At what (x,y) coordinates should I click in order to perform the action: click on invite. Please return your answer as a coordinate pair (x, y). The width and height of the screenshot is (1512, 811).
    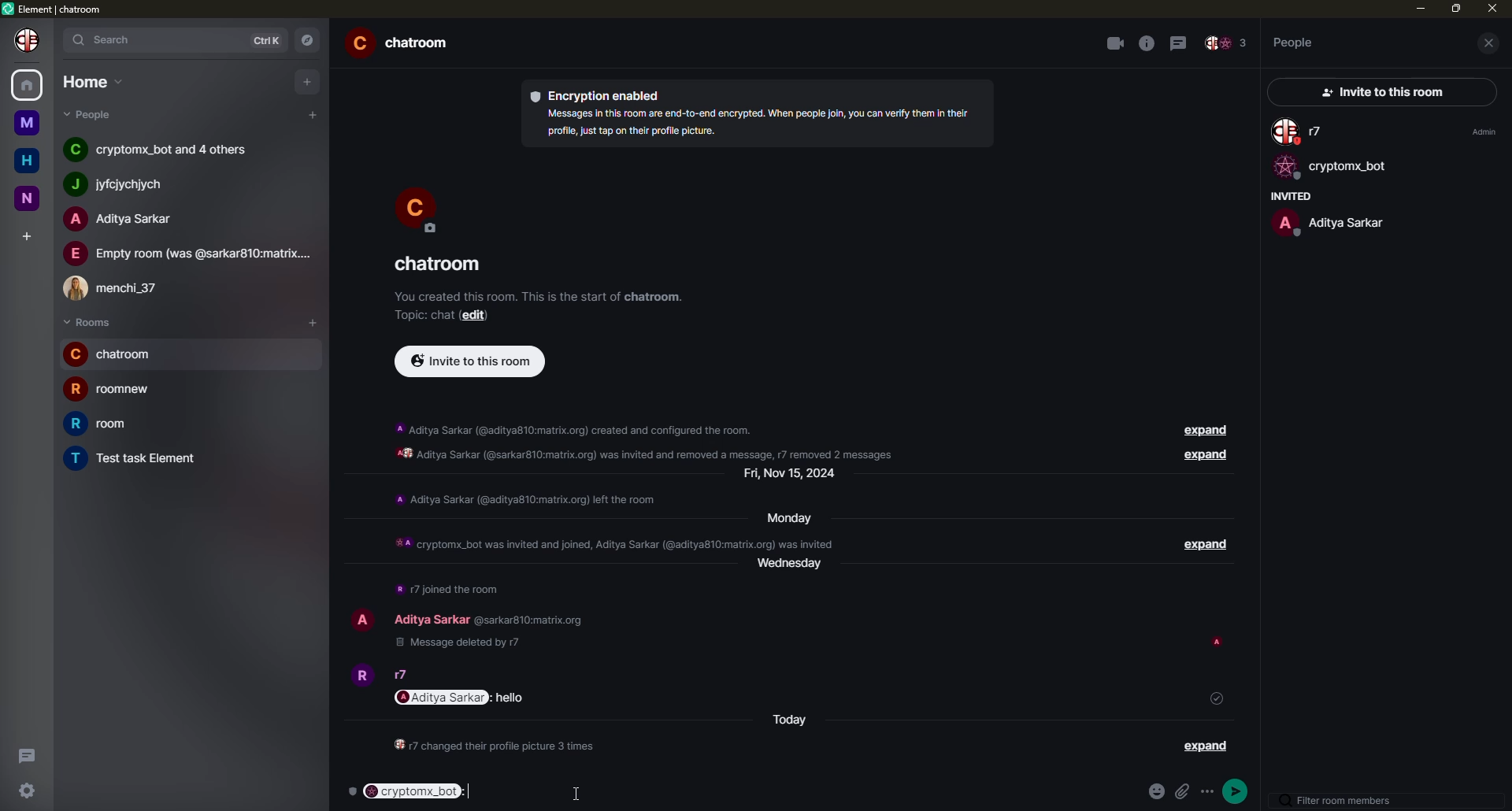
    Looking at the image, I should click on (1377, 93).